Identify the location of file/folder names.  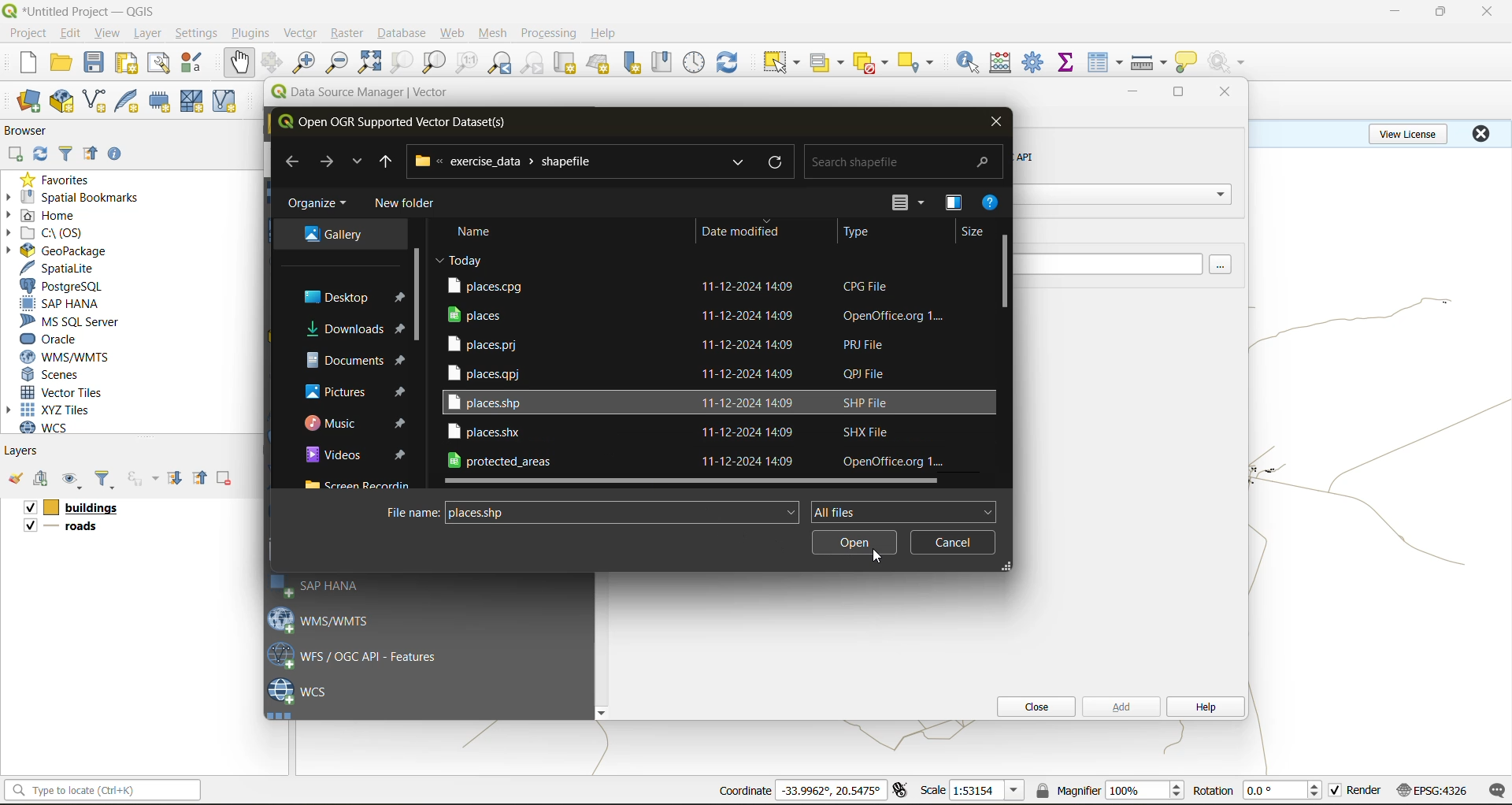
(671, 402).